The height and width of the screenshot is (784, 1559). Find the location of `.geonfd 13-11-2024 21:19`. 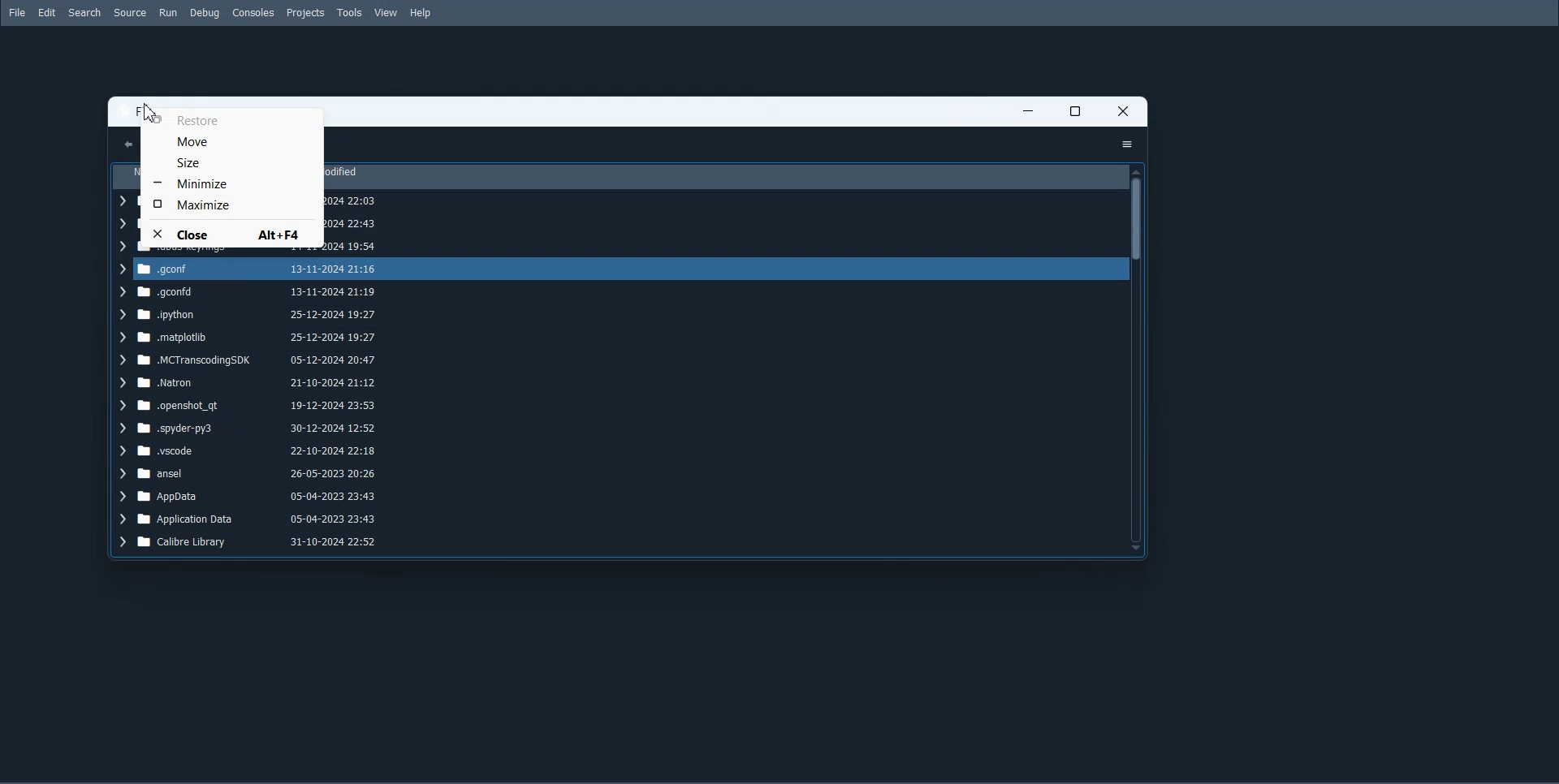

.geonfd 13-11-2024 21:19 is located at coordinates (244, 292).